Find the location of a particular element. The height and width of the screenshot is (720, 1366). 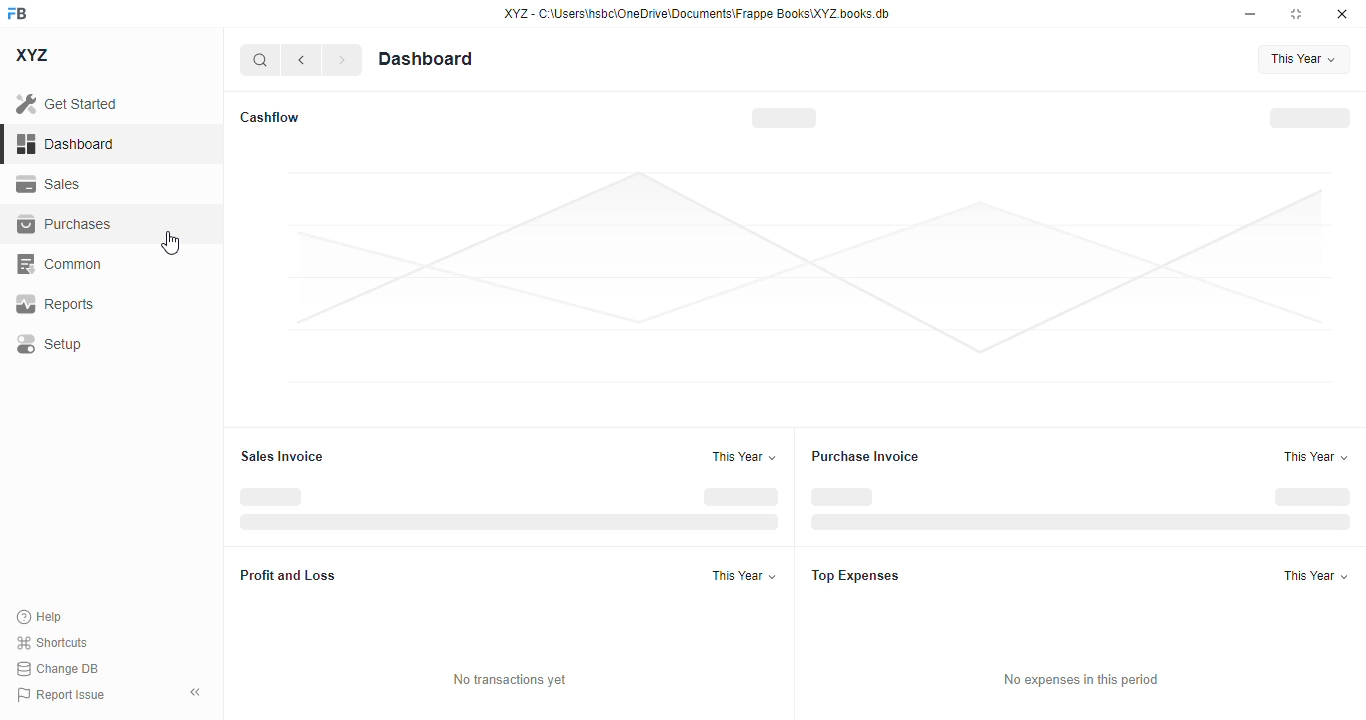

toggle sidebar is located at coordinates (198, 692).